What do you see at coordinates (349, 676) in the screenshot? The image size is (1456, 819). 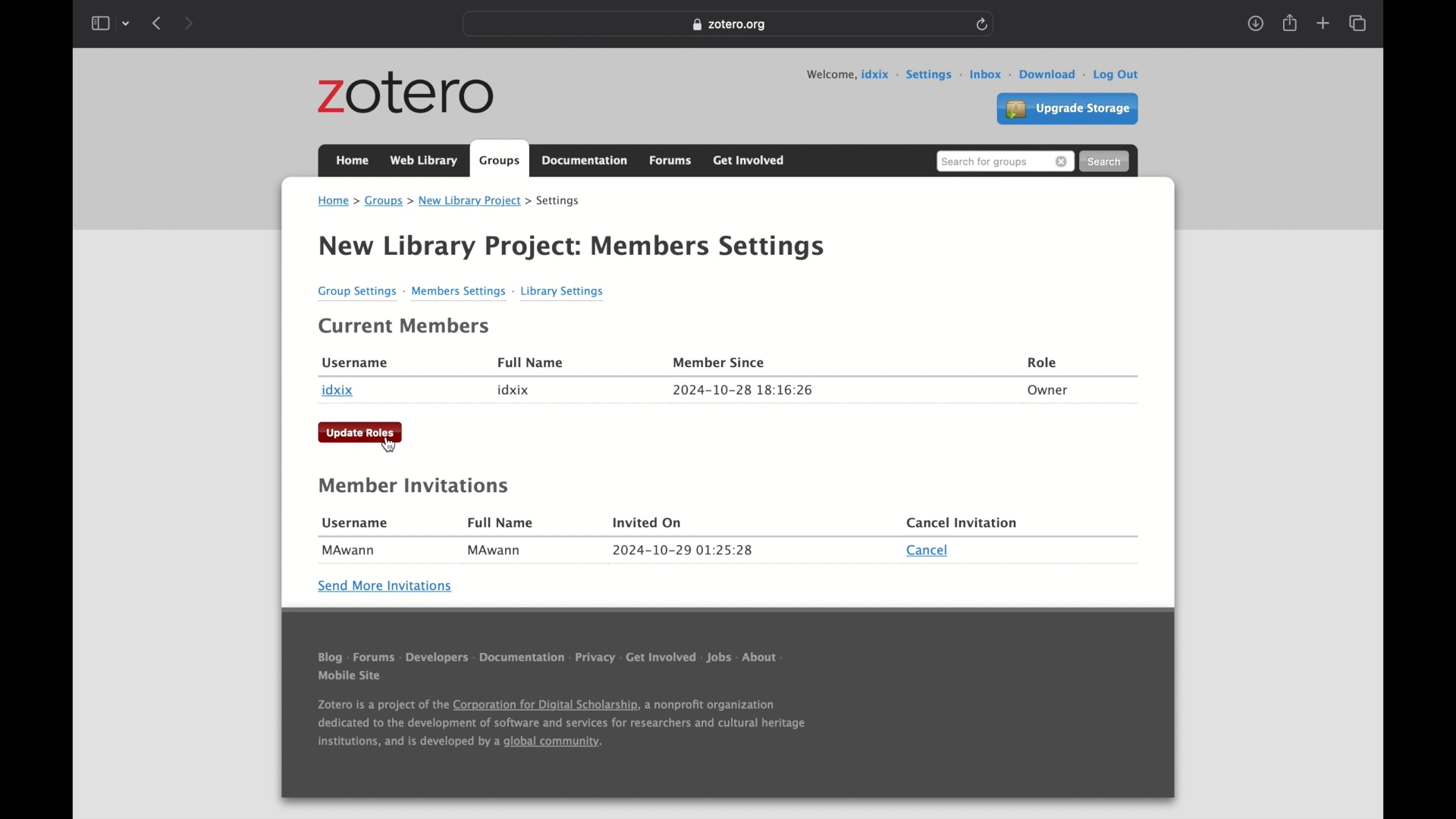 I see `mobile site` at bounding box center [349, 676].